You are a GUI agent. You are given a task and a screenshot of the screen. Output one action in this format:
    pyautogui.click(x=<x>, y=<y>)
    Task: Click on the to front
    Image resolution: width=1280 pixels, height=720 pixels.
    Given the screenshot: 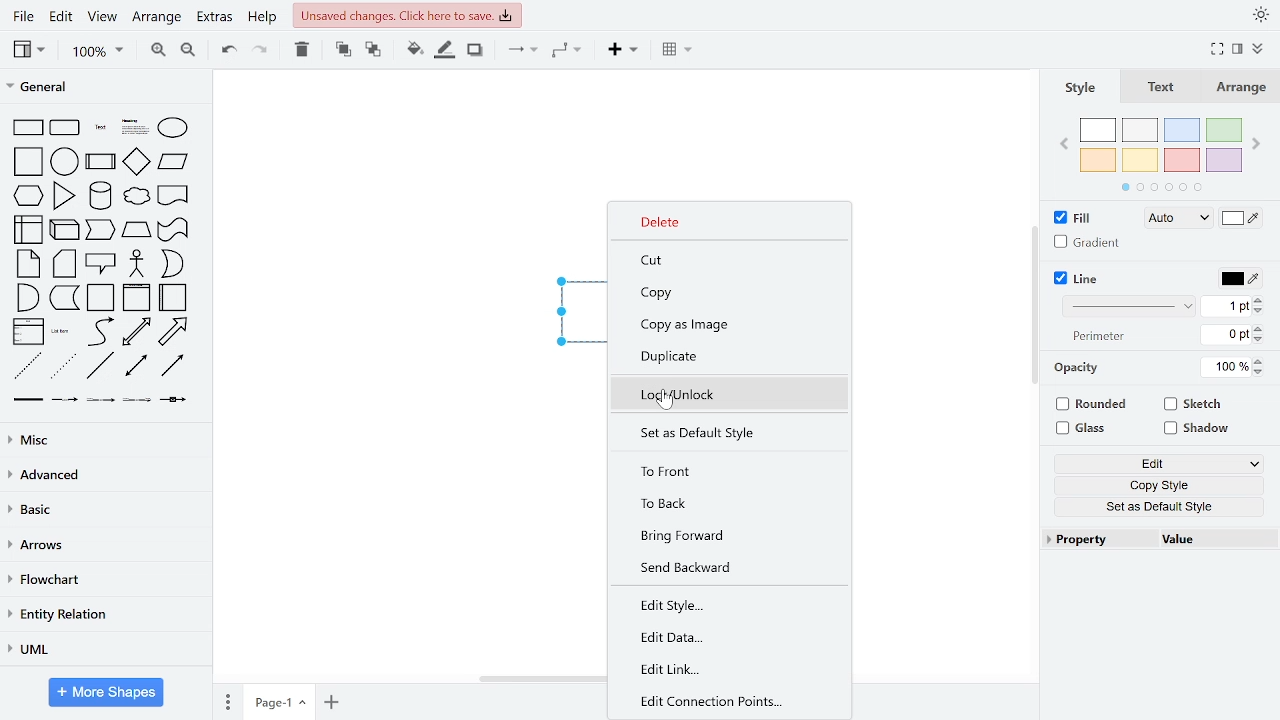 What is the action you would take?
    pyautogui.click(x=722, y=470)
    